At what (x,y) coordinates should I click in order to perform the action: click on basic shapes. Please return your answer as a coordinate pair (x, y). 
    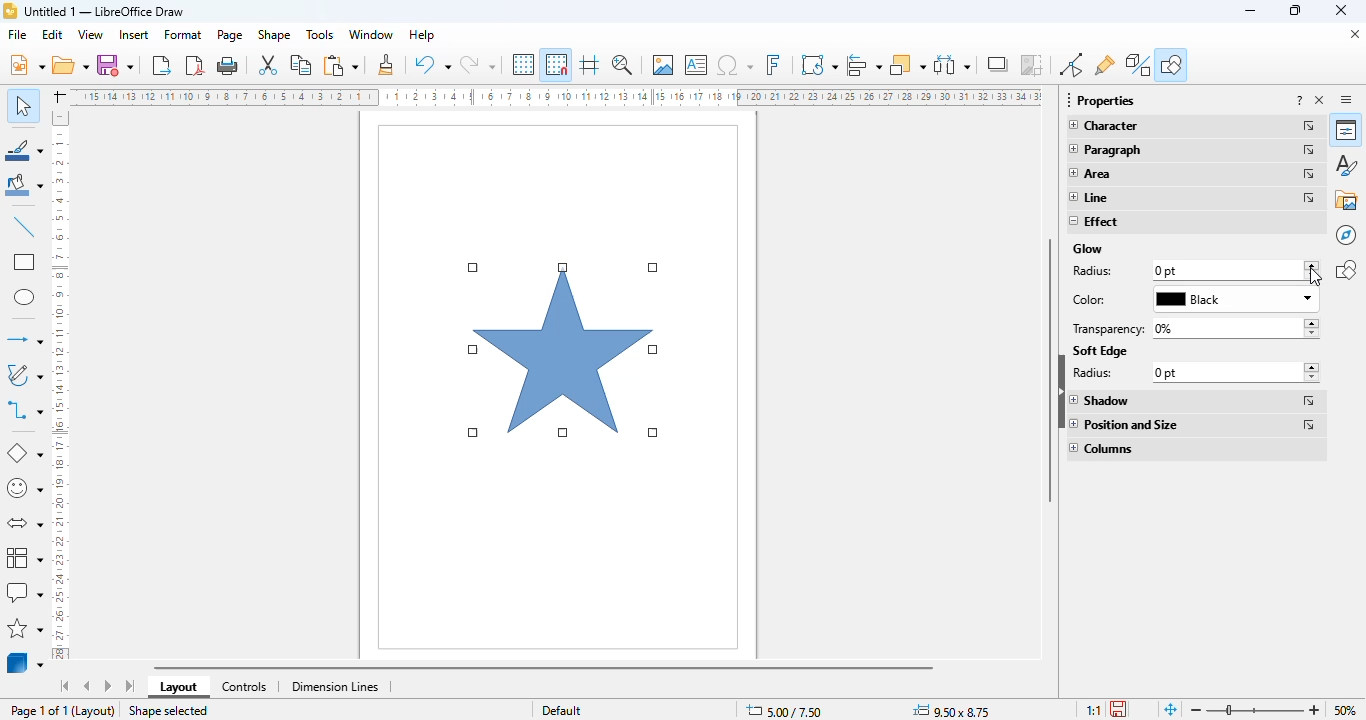
    Looking at the image, I should click on (26, 452).